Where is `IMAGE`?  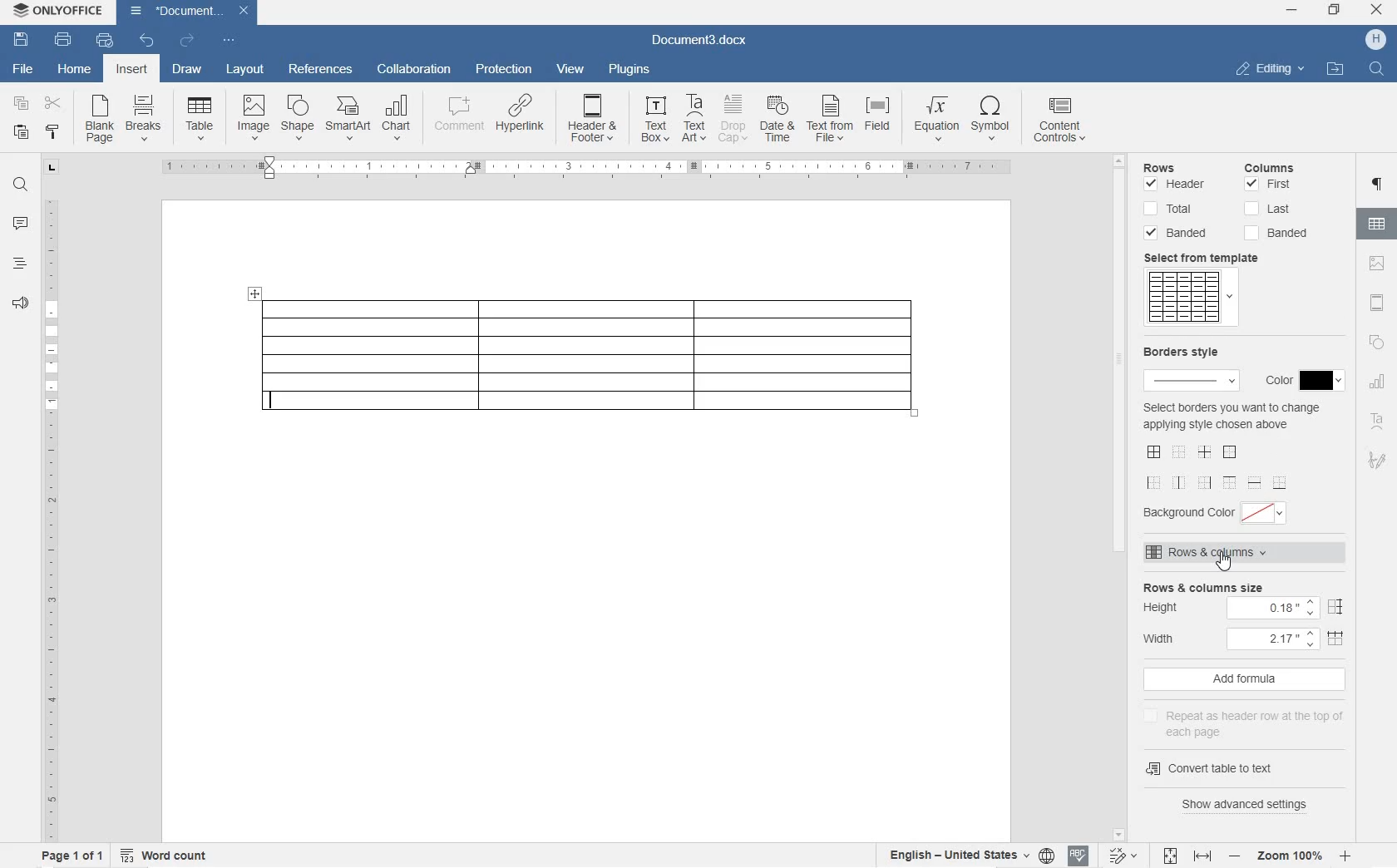
IMAGE is located at coordinates (254, 118).